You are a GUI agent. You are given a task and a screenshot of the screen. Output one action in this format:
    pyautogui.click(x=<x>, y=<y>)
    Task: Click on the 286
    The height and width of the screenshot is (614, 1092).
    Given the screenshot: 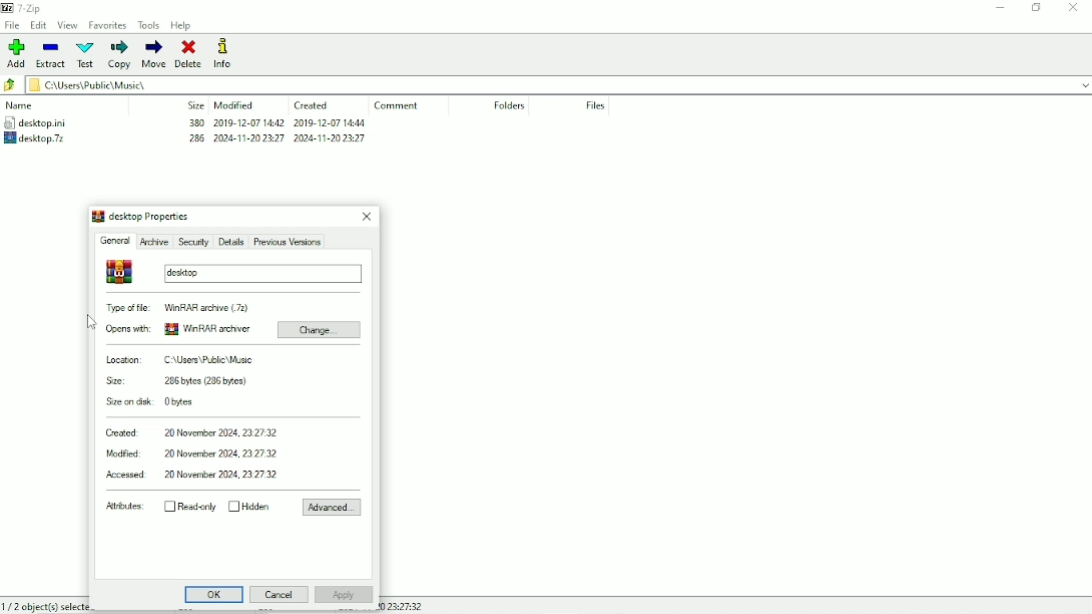 What is the action you would take?
    pyautogui.click(x=197, y=138)
    